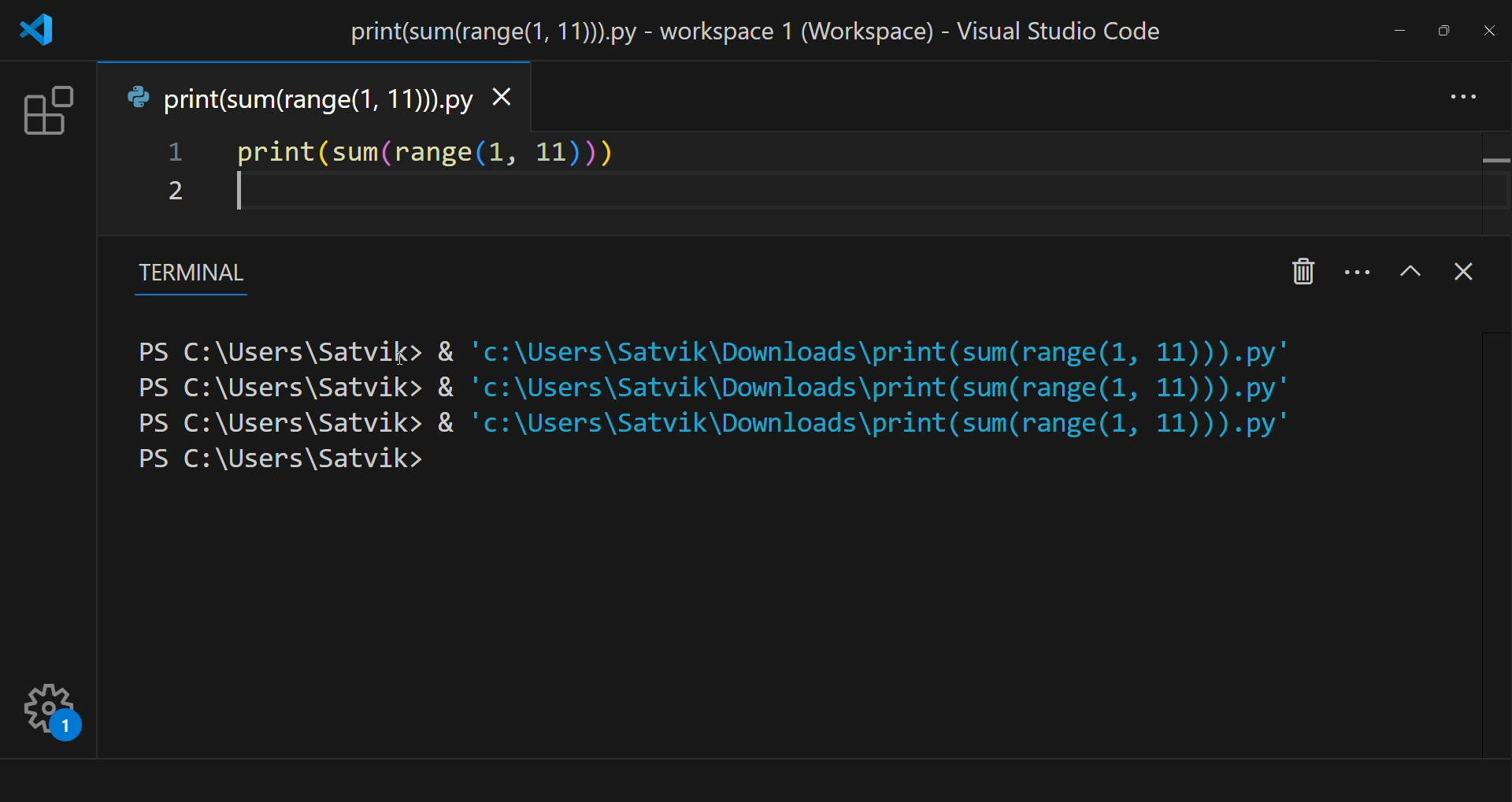 This screenshot has width=1512, height=802. I want to click on setting, so click(54, 711).